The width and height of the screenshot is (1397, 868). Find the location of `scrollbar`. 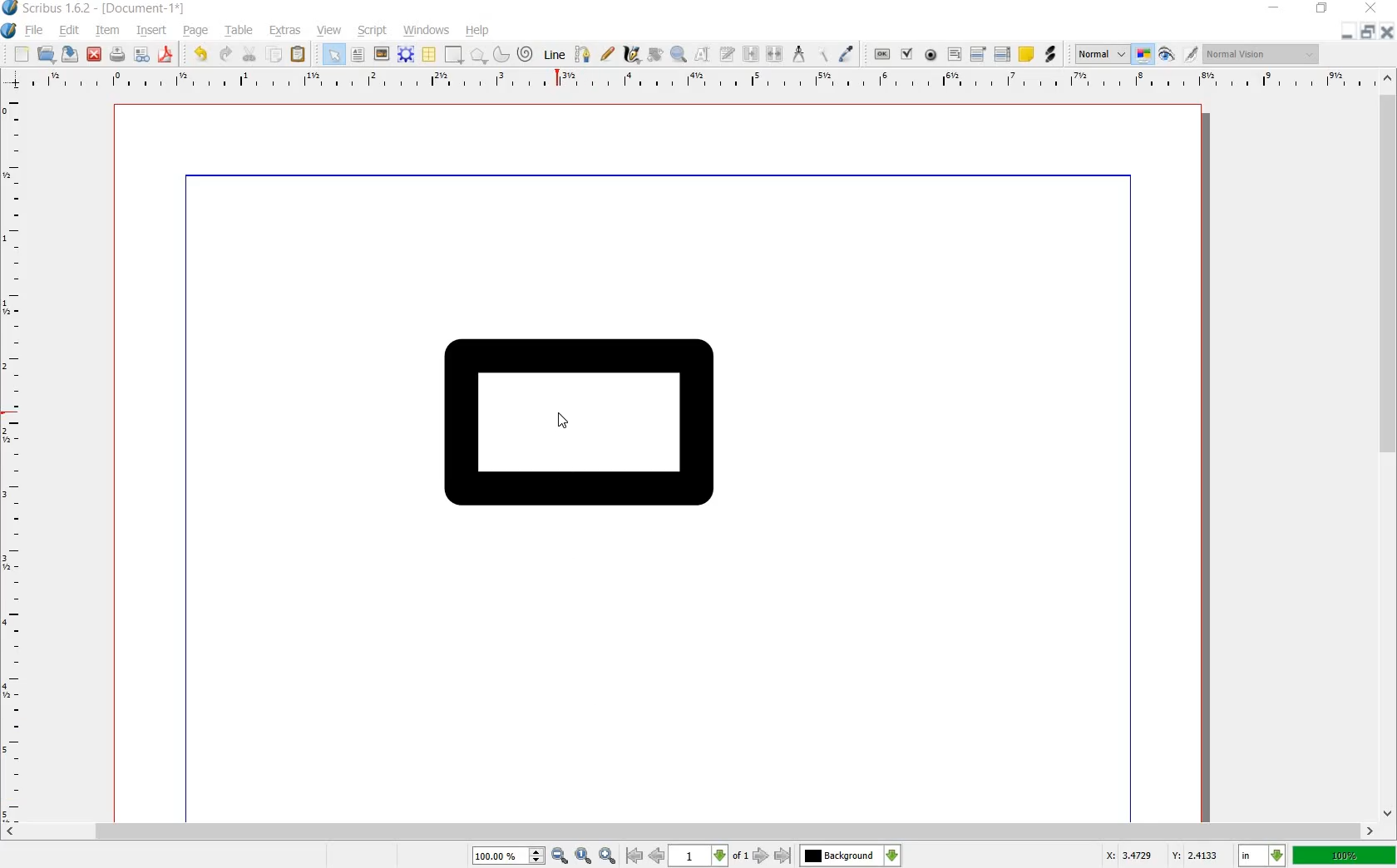

scrollbar is located at coordinates (689, 830).